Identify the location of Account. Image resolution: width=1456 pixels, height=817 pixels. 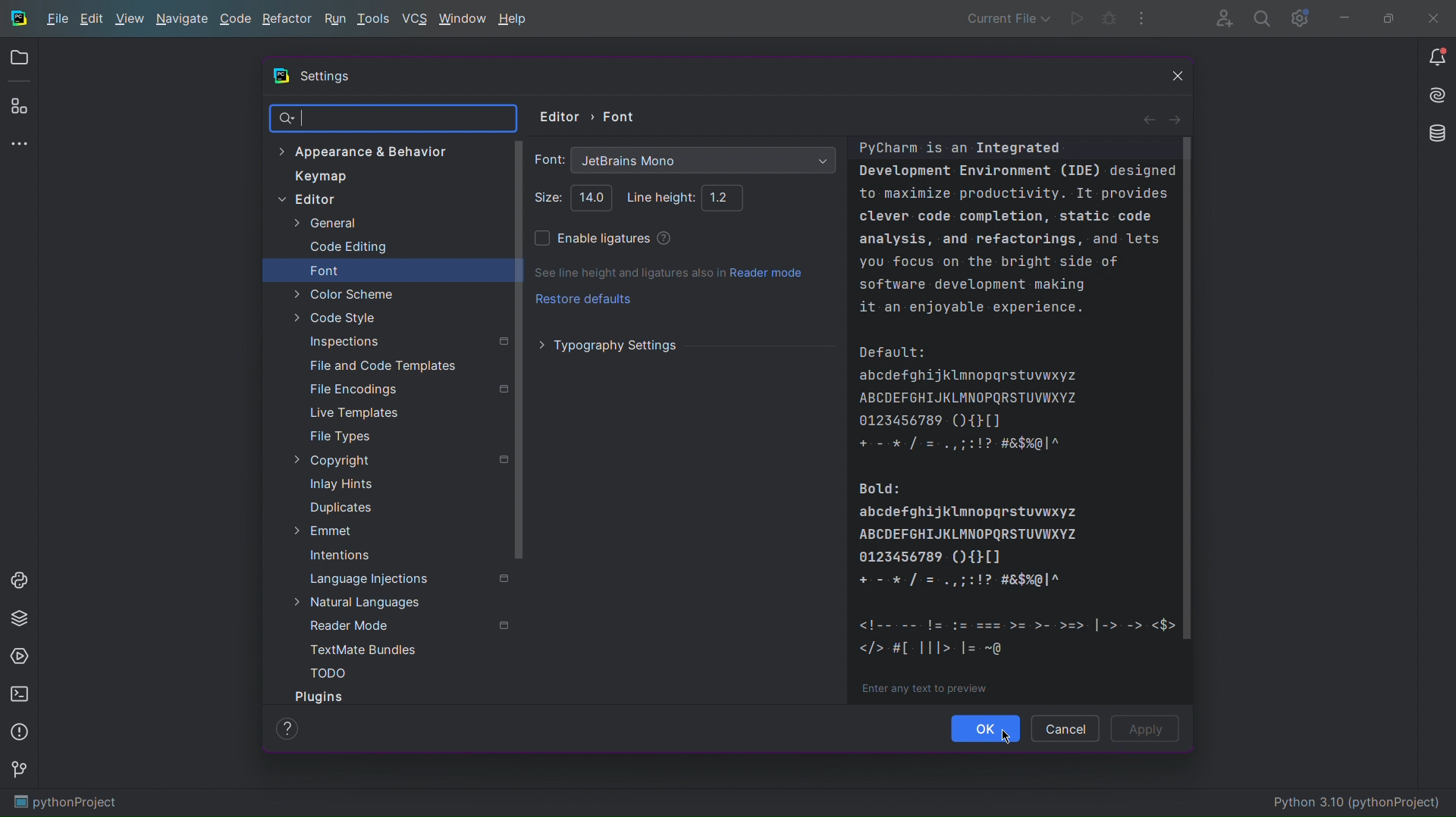
(1221, 17).